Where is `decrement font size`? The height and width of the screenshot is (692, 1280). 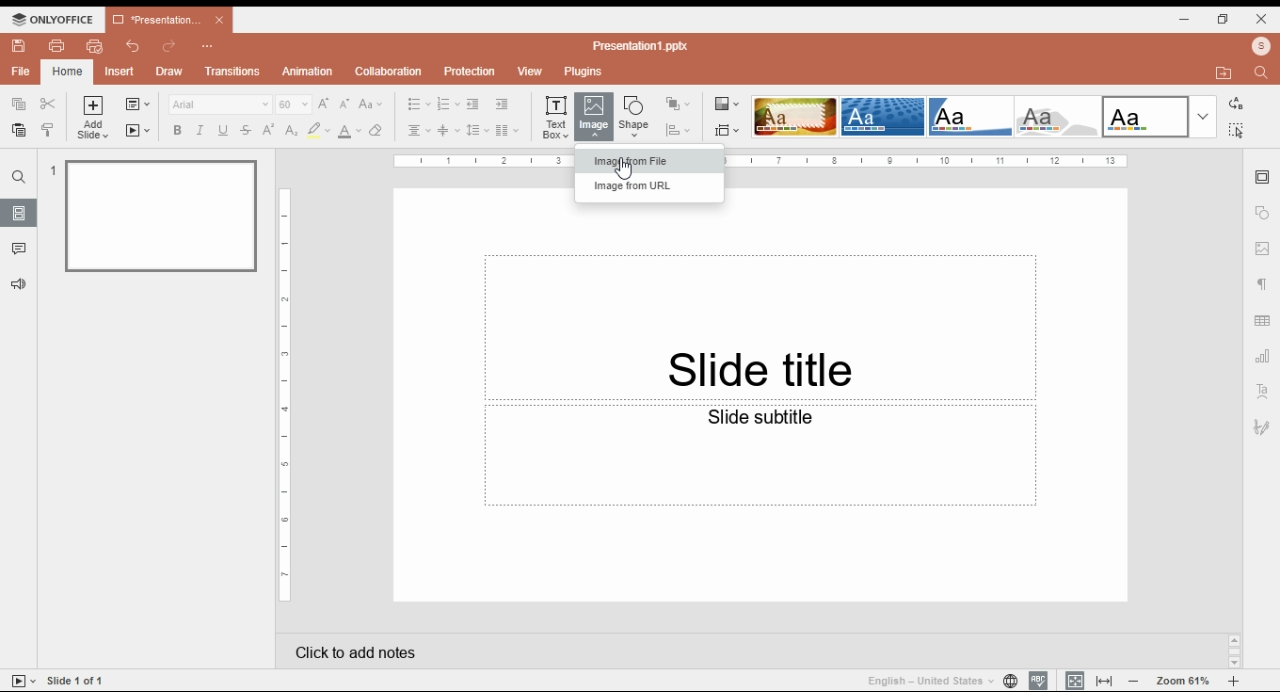
decrement font size is located at coordinates (345, 104).